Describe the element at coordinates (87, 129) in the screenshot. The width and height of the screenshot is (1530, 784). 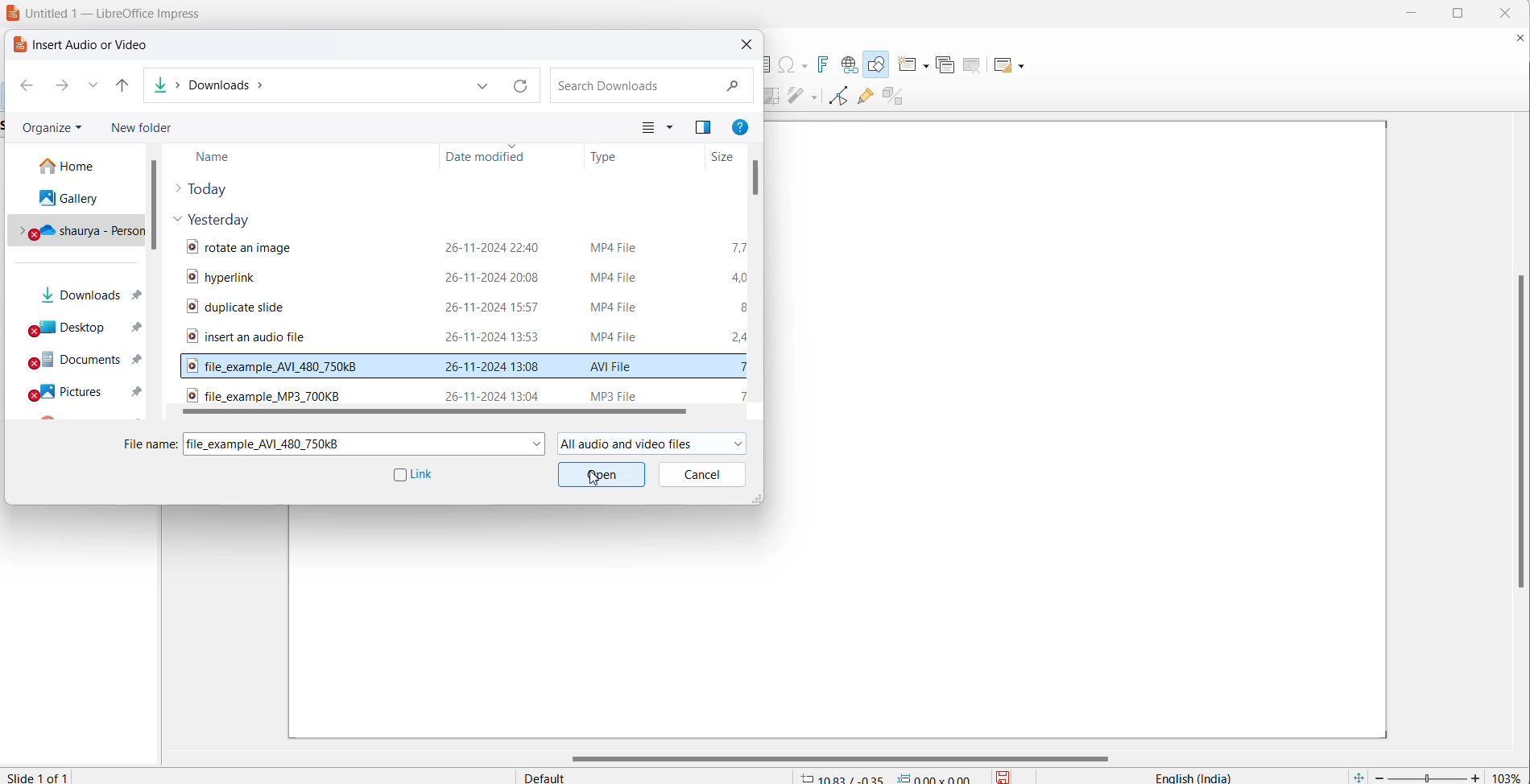
I see `organize options` at that location.